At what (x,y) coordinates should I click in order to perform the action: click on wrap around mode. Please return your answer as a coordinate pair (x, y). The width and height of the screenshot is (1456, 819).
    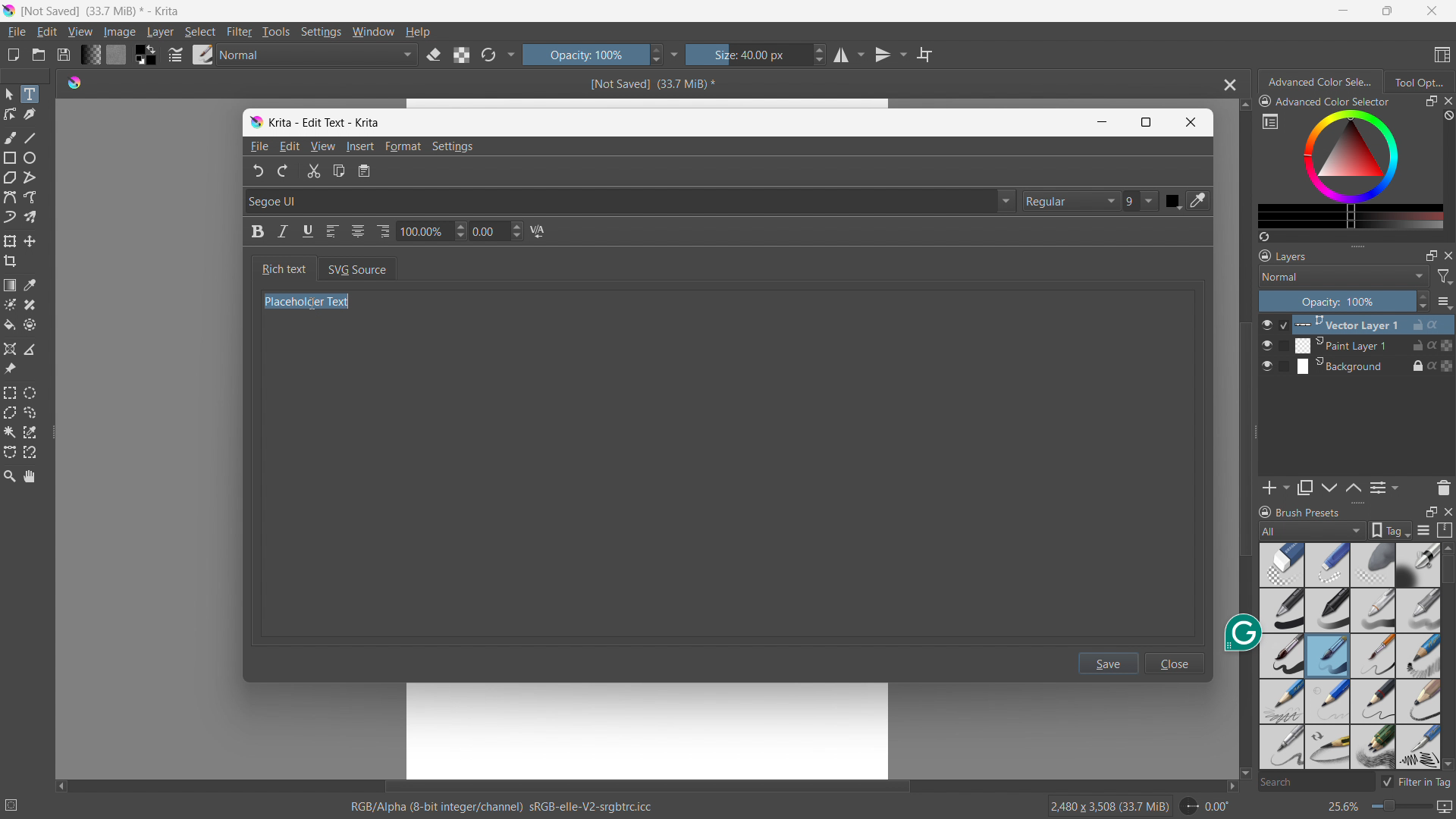
    Looking at the image, I should click on (925, 54).